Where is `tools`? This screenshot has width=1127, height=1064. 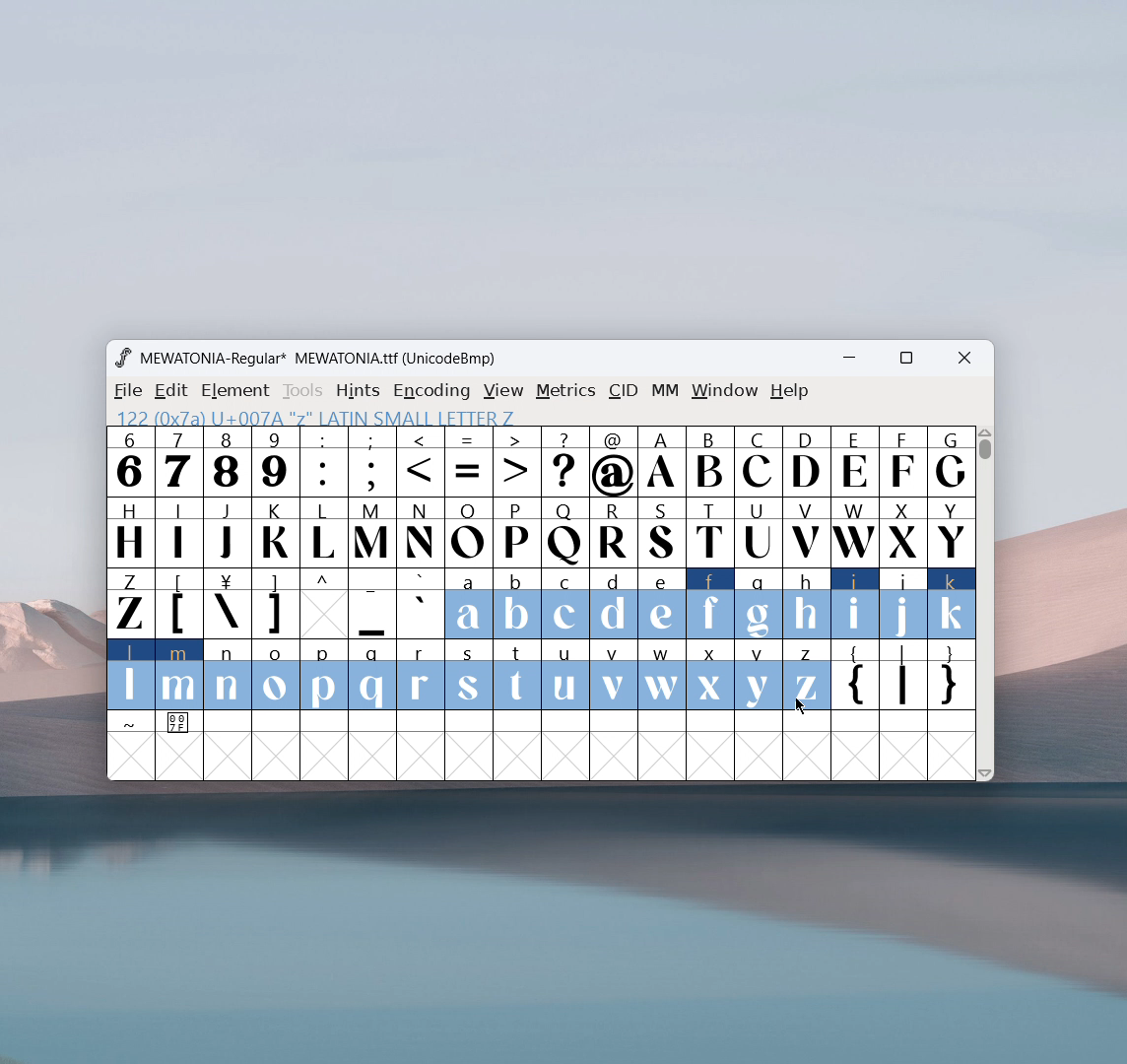 tools is located at coordinates (303, 391).